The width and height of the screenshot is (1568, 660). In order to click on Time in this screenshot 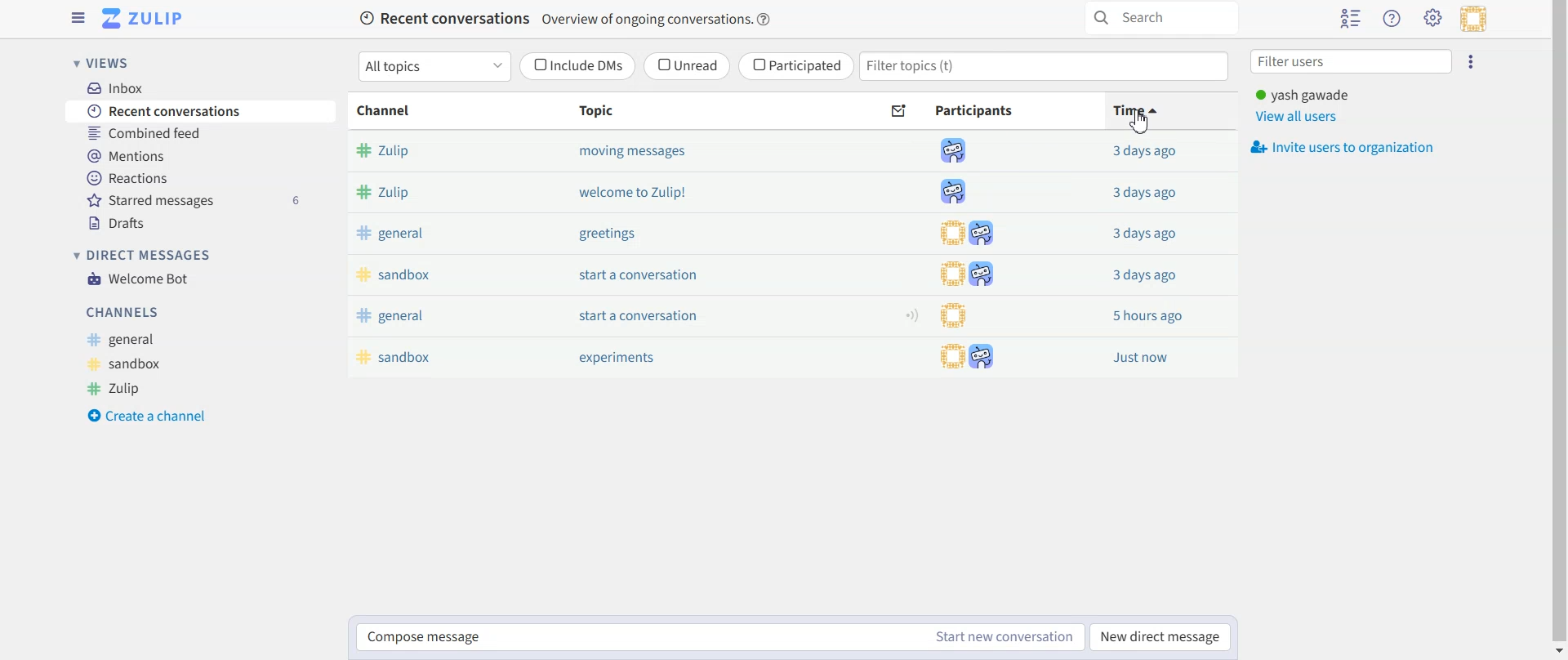, I will do `click(1168, 110)`.